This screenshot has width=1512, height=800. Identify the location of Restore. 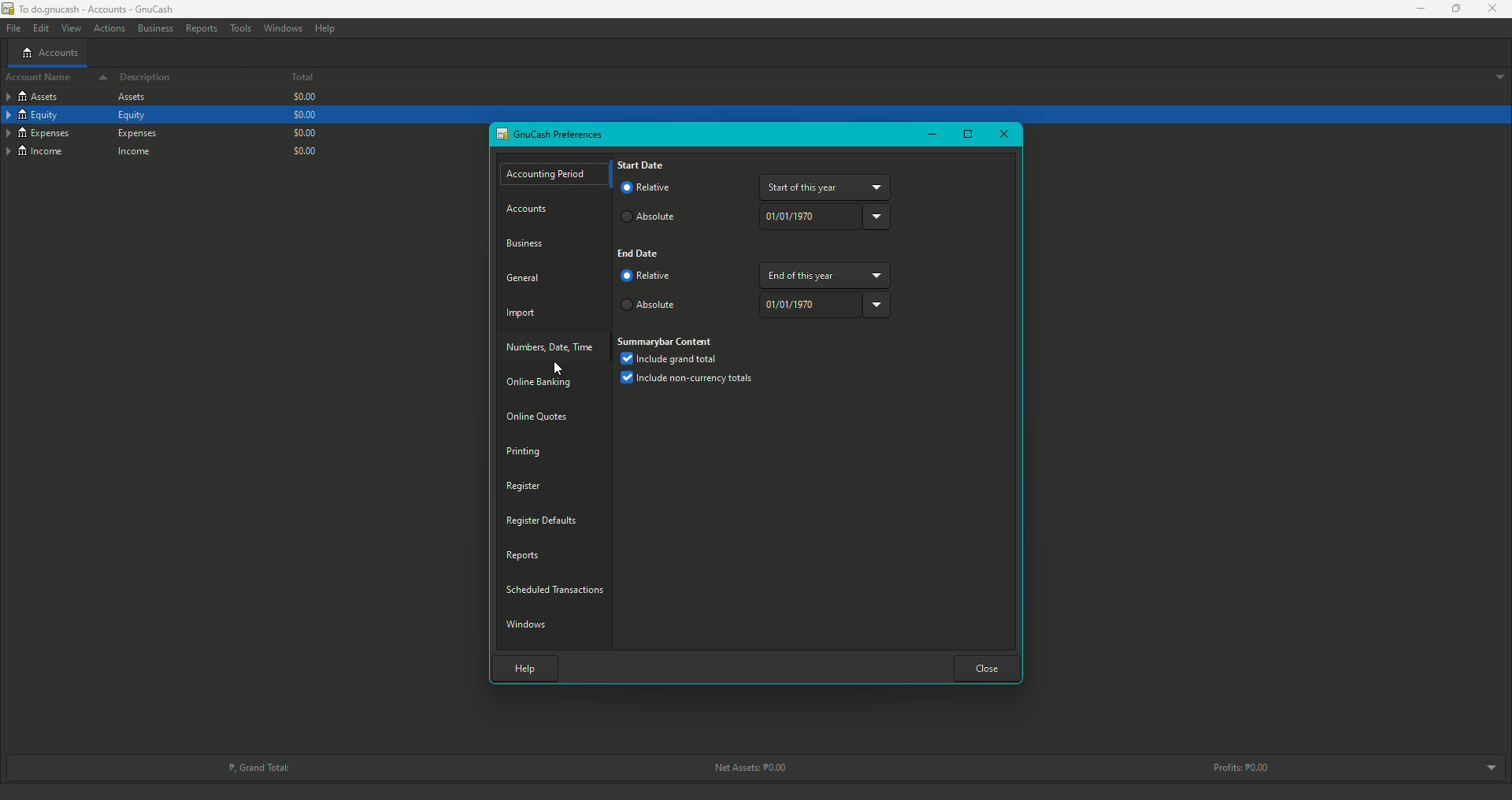
(968, 135).